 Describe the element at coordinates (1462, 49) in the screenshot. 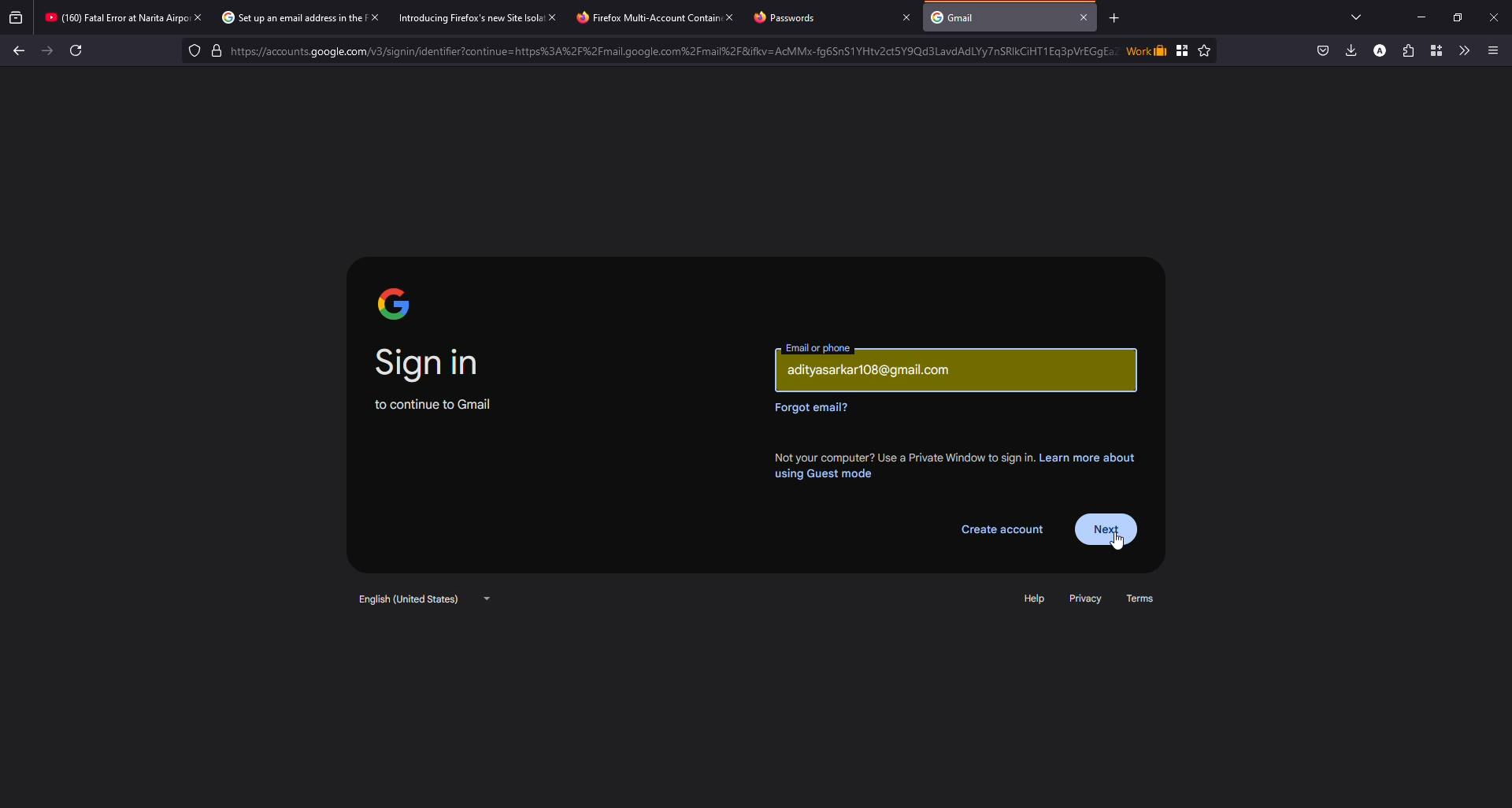

I see `more tools` at that location.